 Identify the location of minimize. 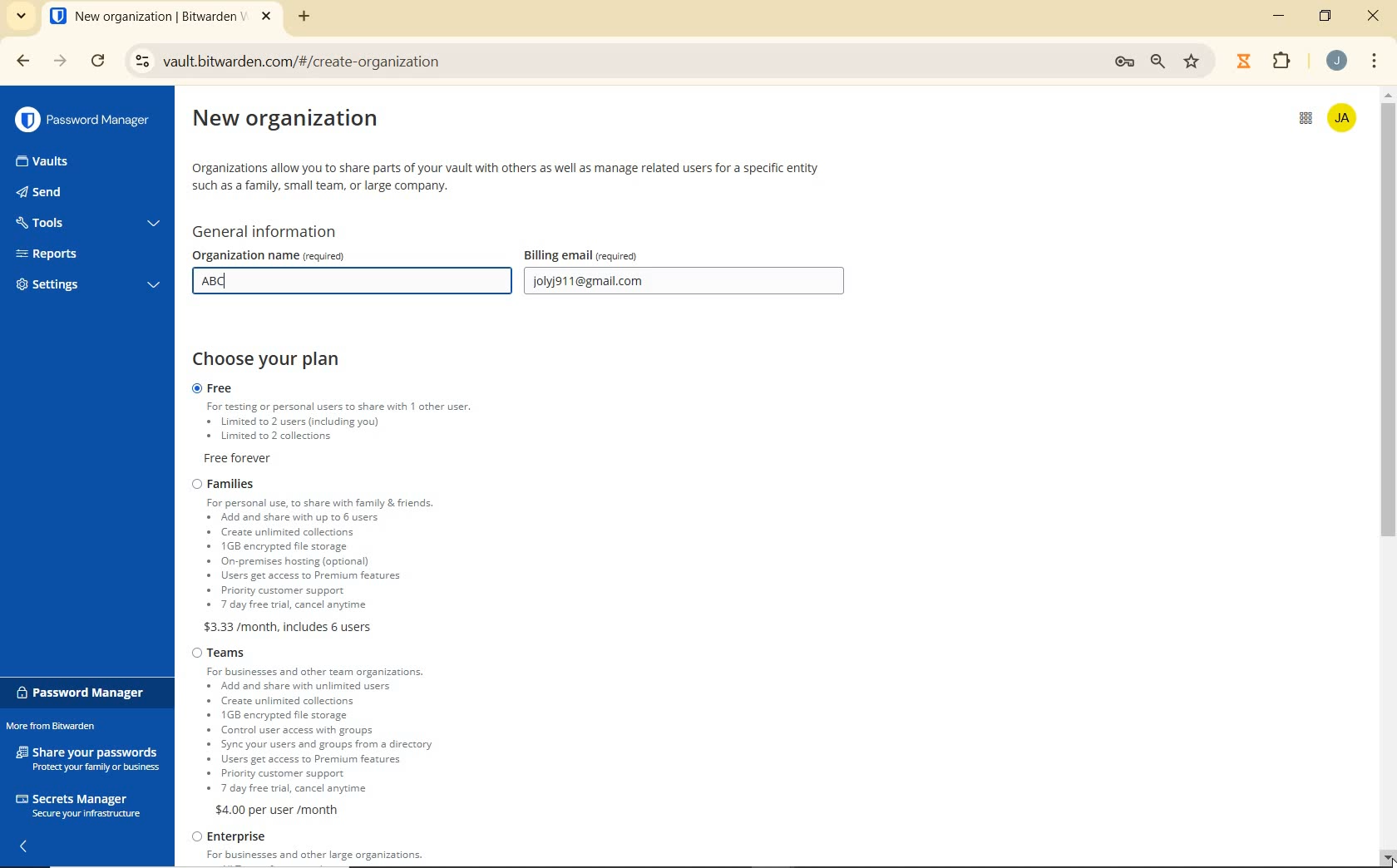
(1281, 16).